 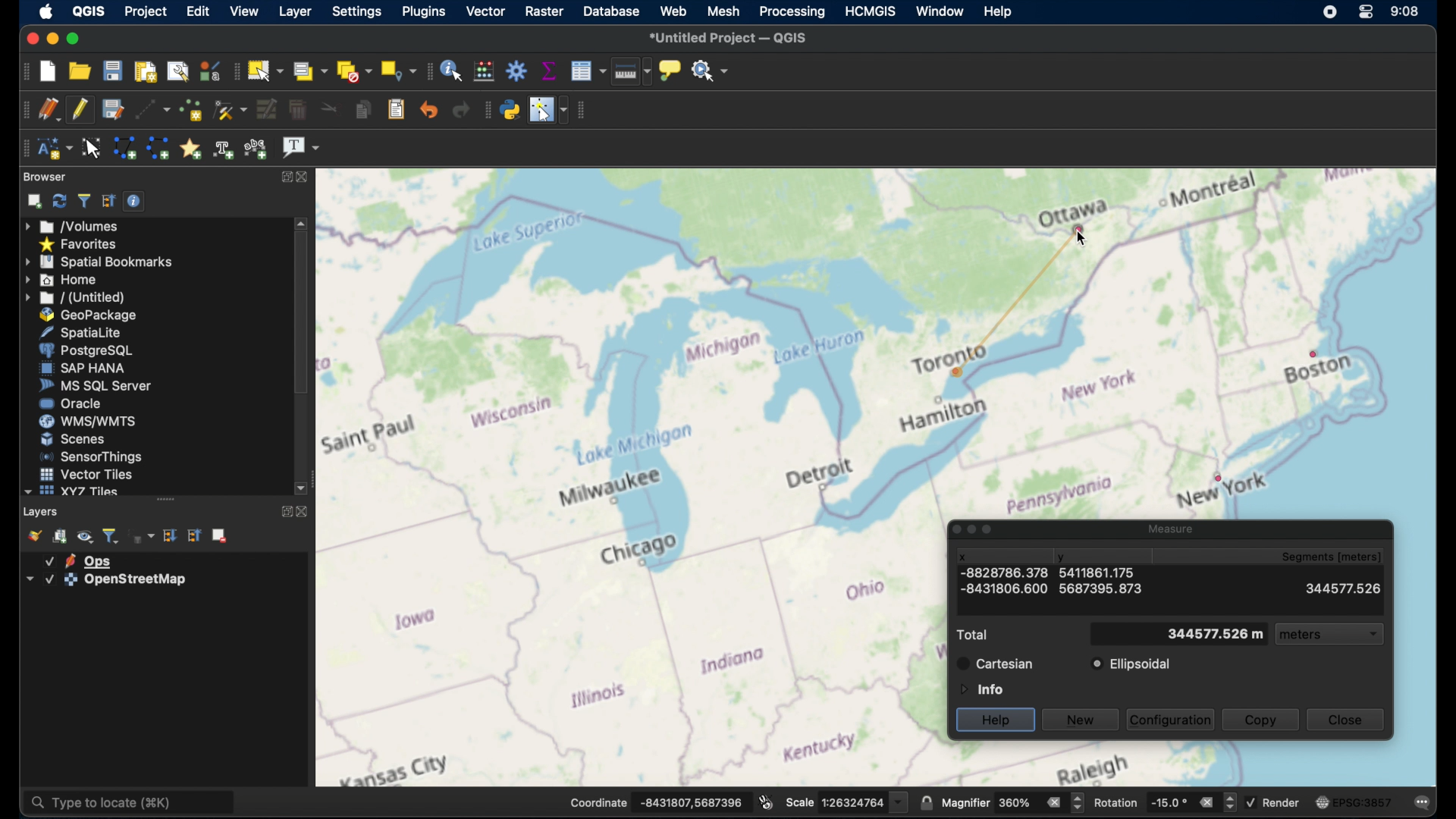 What do you see at coordinates (1331, 636) in the screenshot?
I see `meters` at bounding box center [1331, 636].